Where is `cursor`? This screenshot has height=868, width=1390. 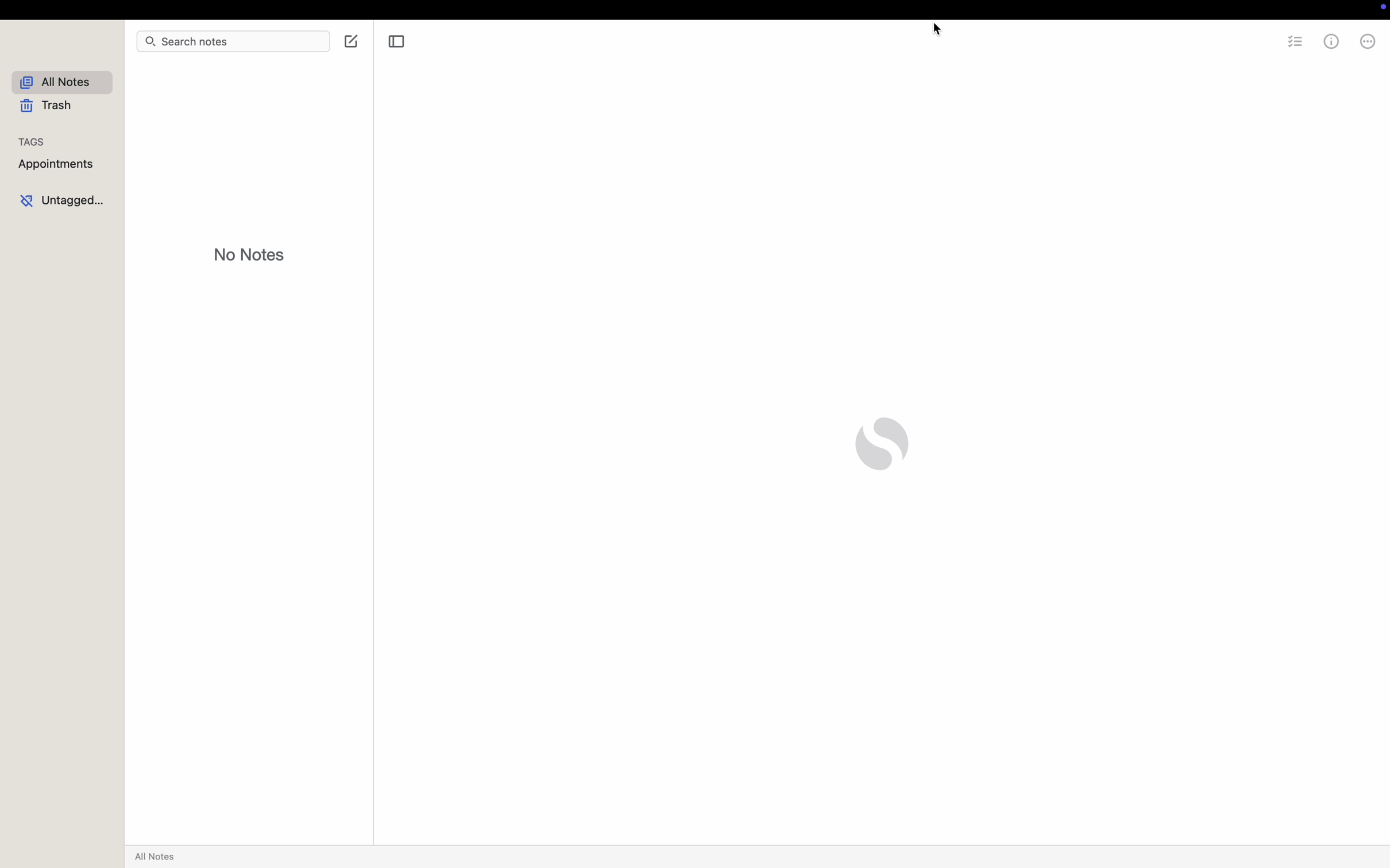
cursor is located at coordinates (941, 32).